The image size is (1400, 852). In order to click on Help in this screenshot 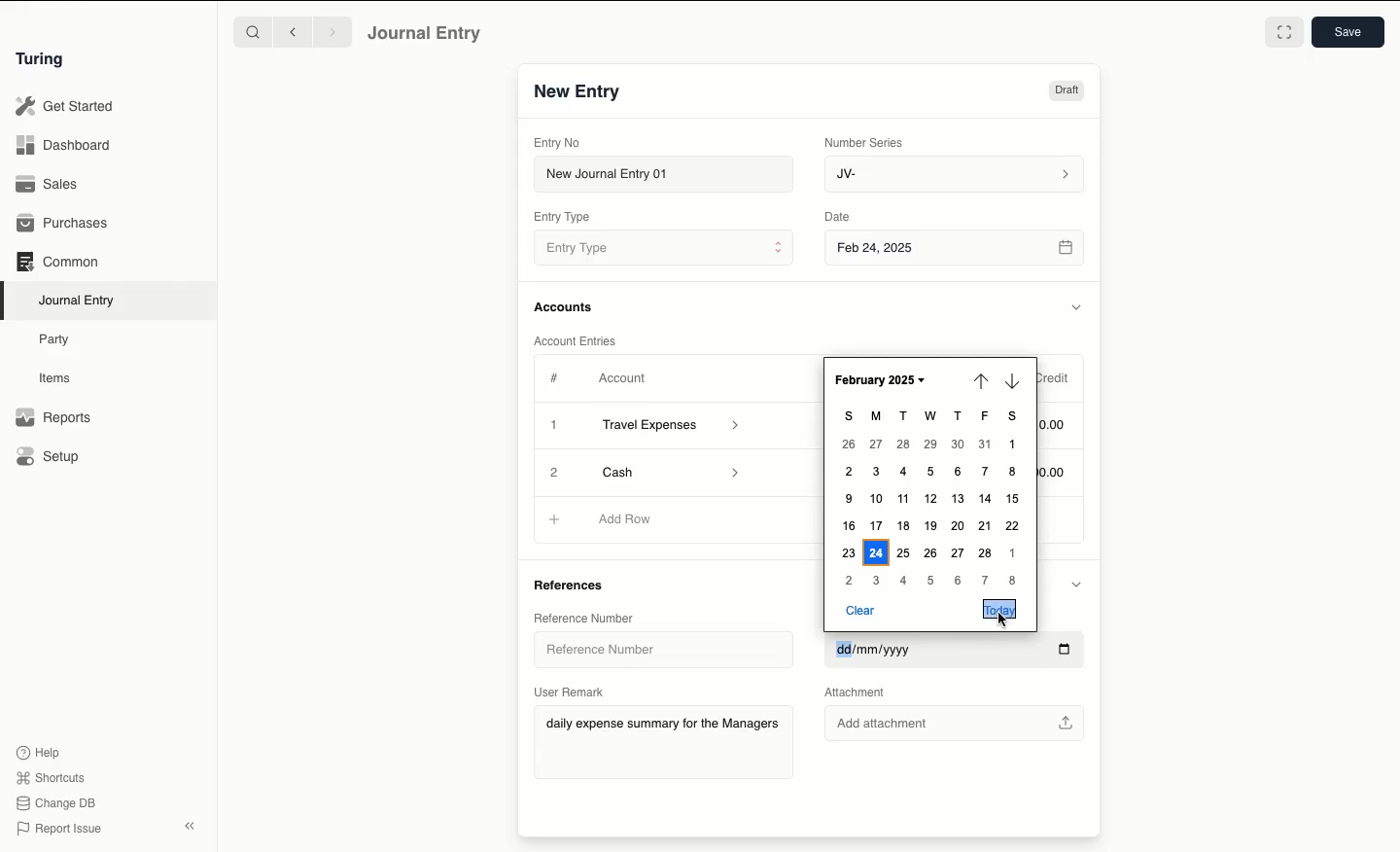, I will do `click(39, 753)`.